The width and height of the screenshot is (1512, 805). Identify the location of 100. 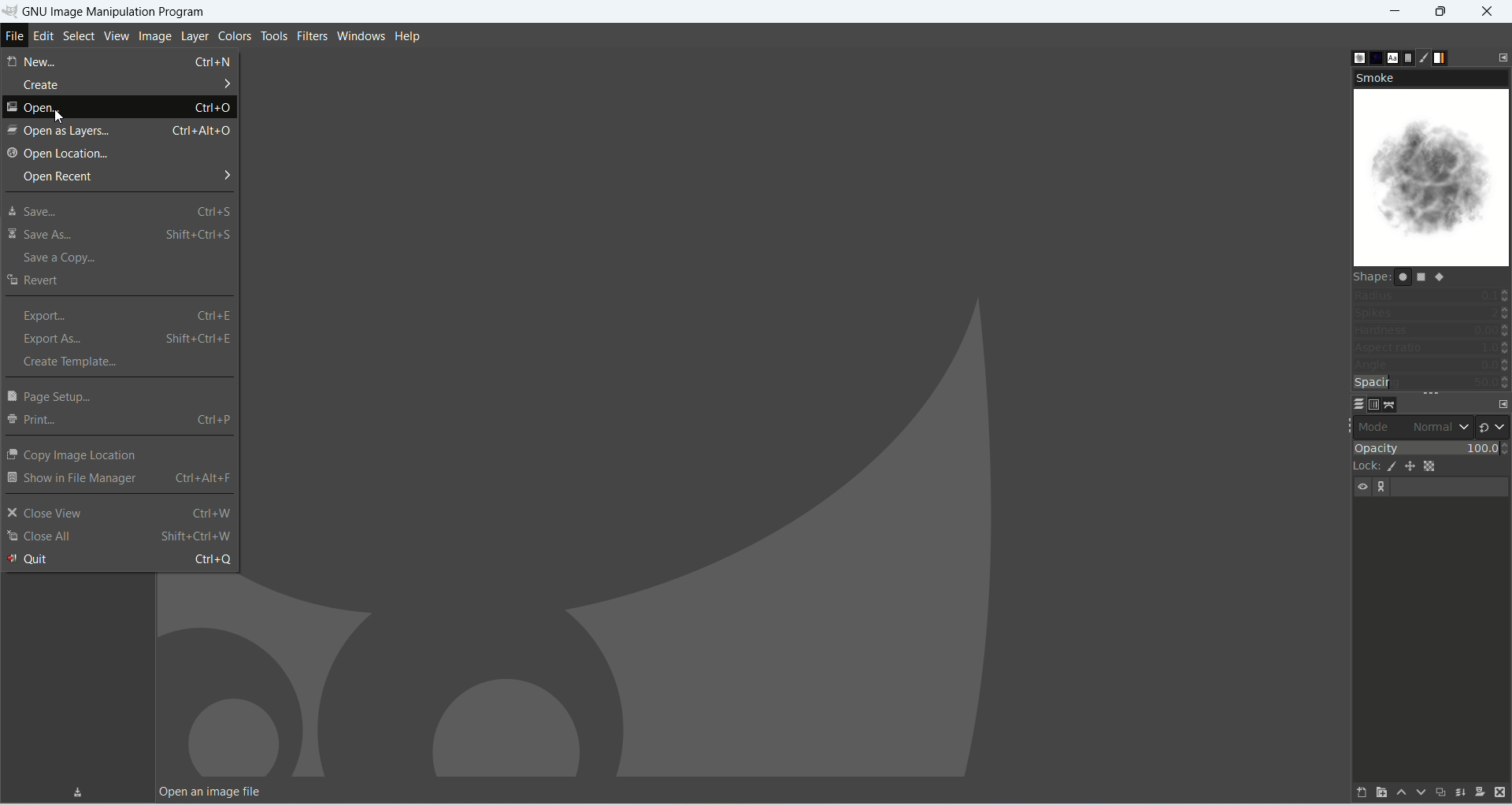
(1481, 449).